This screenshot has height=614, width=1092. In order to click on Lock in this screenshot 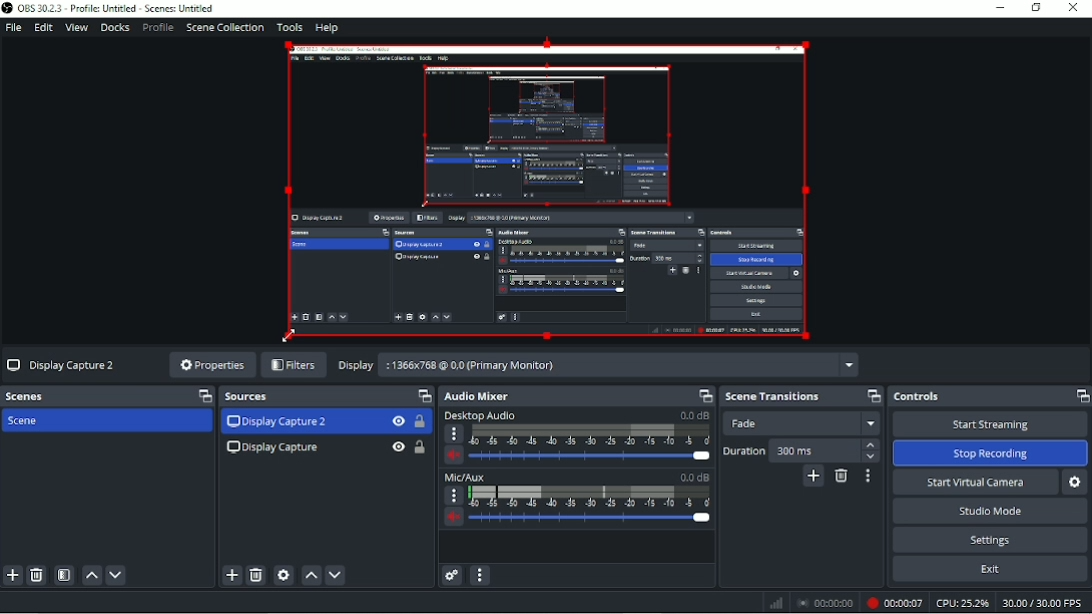, I will do `click(420, 422)`.